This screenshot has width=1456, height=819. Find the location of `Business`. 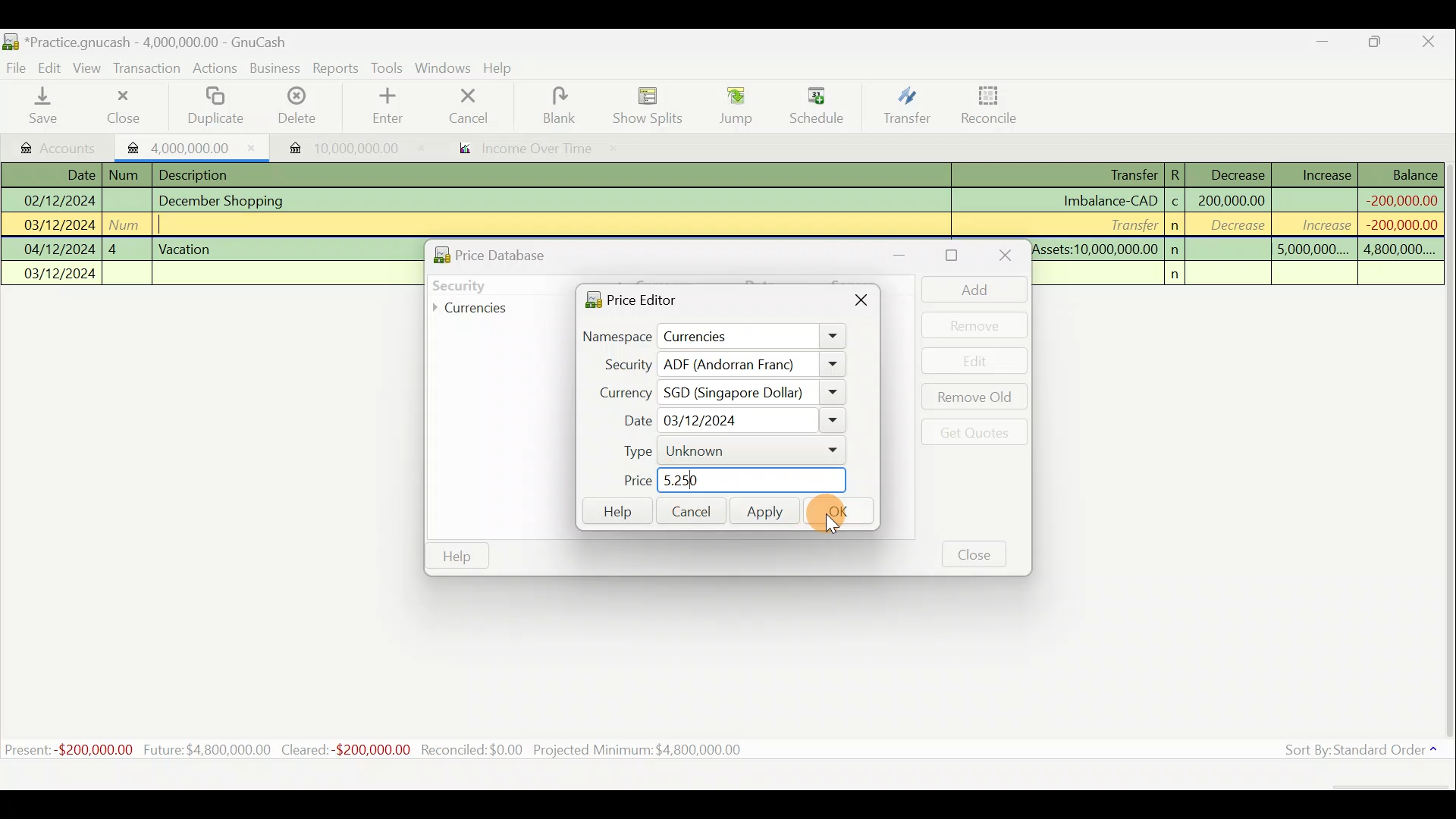

Business is located at coordinates (276, 68).